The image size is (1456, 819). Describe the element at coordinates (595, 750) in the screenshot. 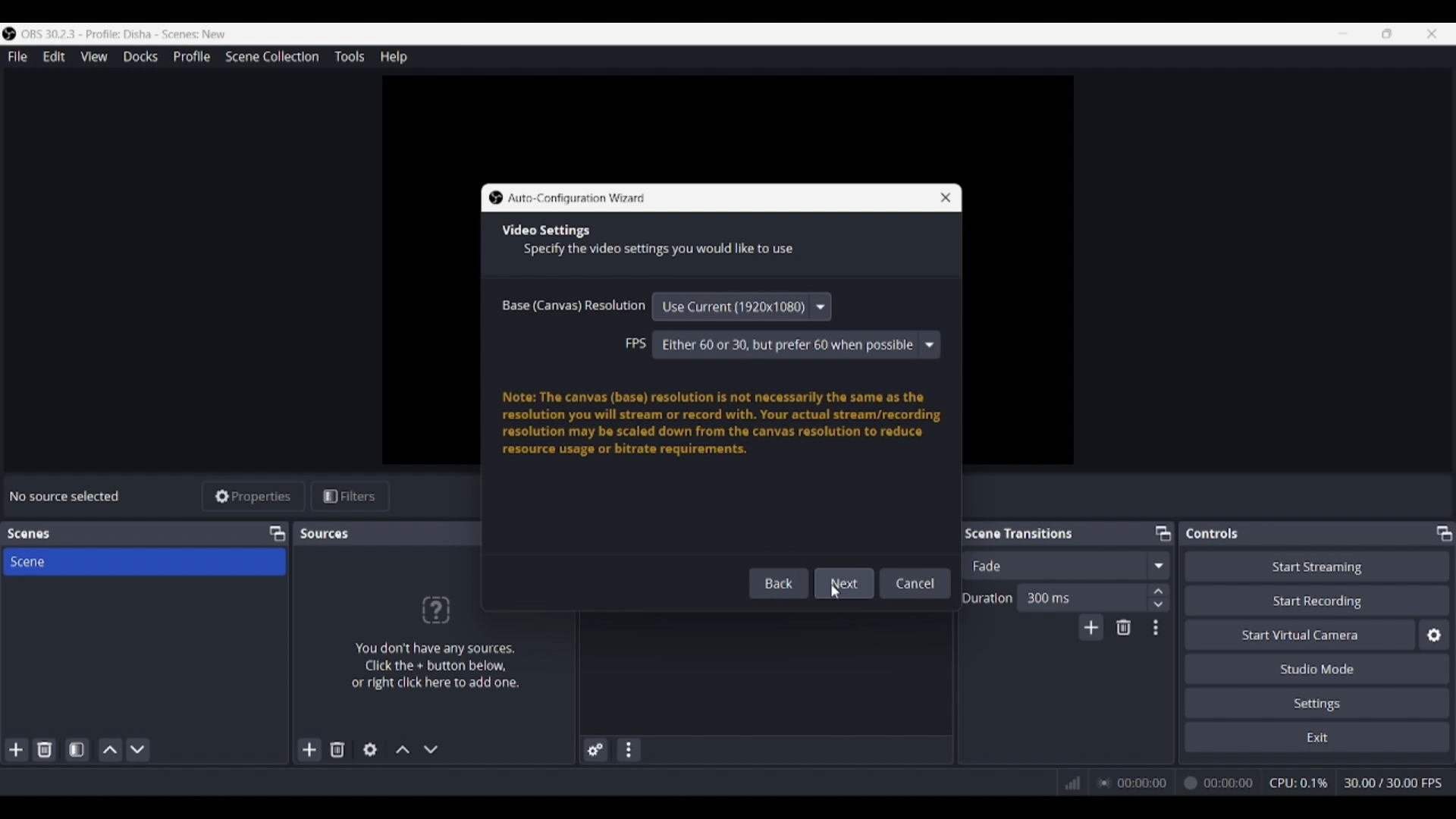

I see `Advanced audio properties` at that location.